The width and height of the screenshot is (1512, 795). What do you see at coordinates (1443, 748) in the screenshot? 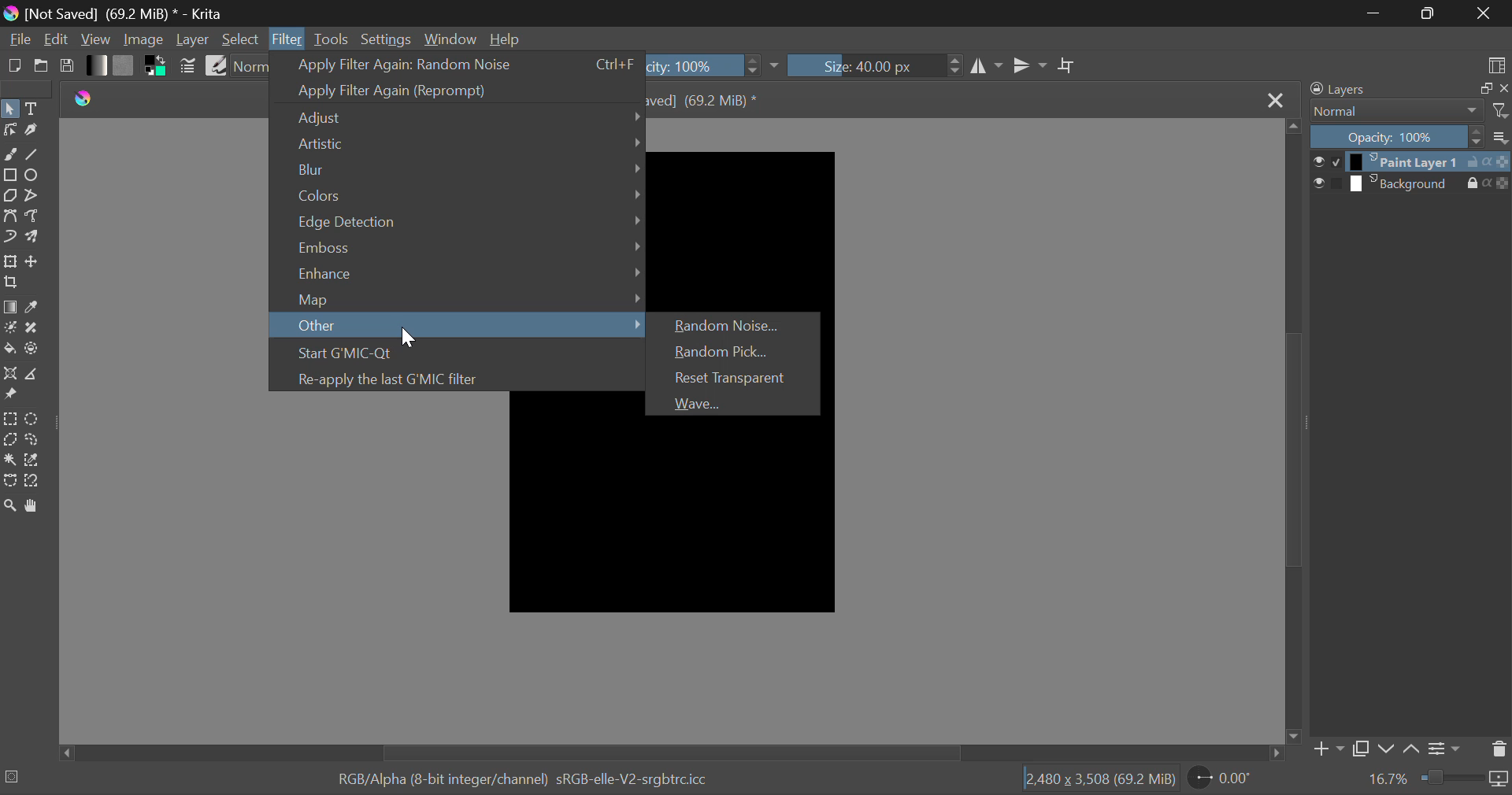
I see `Settings` at bounding box center [1443, 748].